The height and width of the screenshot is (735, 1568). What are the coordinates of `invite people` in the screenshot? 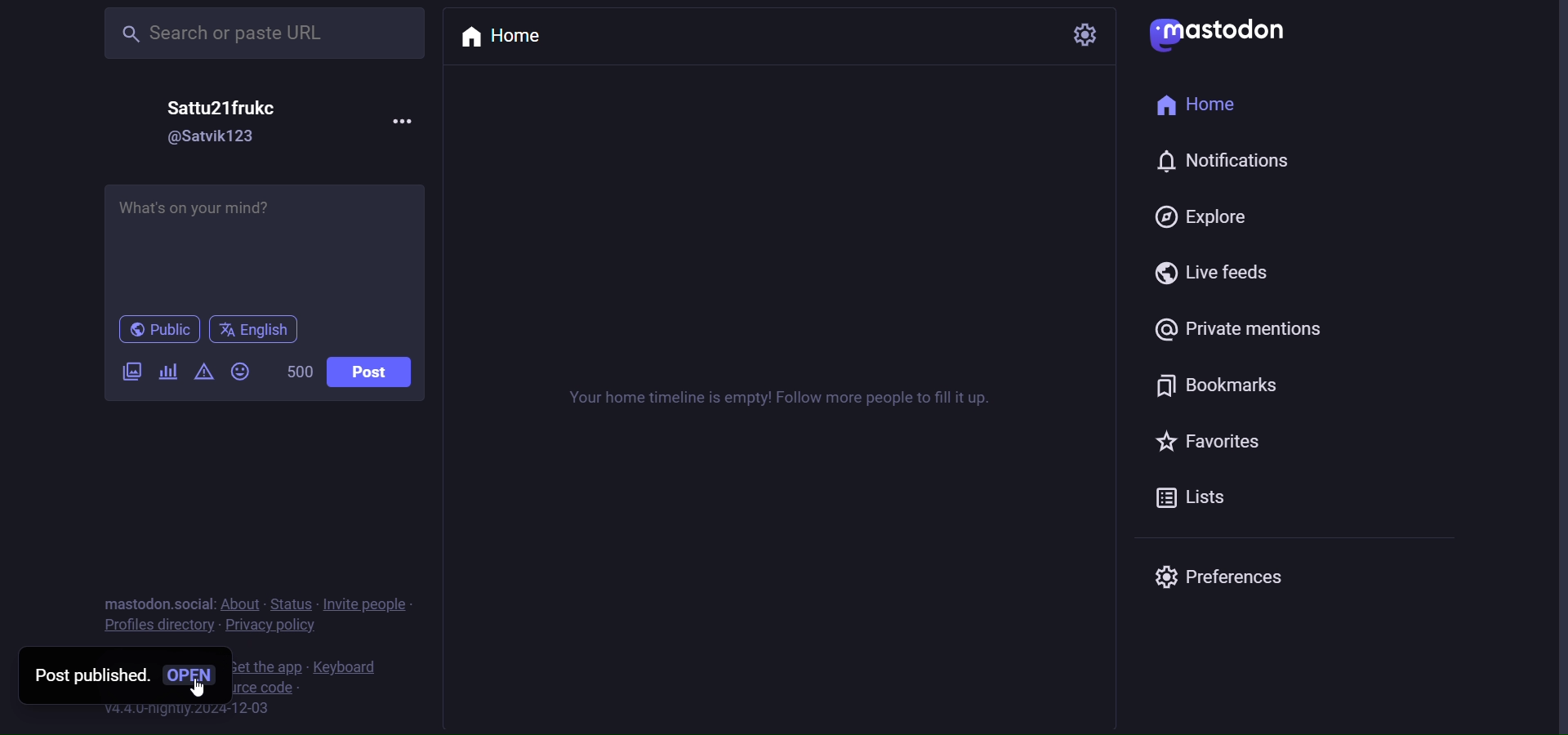 It's located at (371, 604).